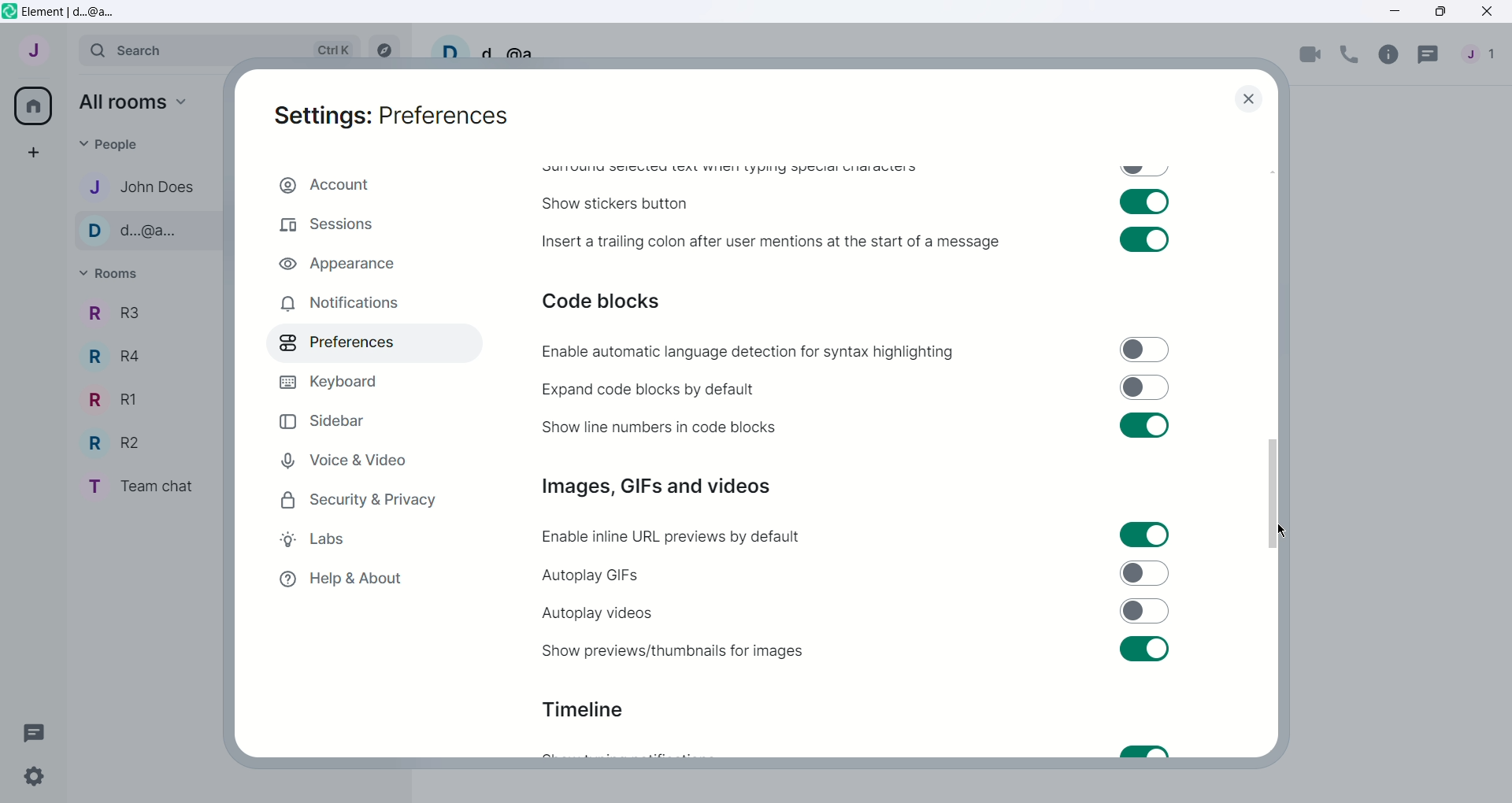 The image size is (1512, 803). What do you see at coordinates (1143, 425) in the screenshot?
I see `Toggle swtich on for show line numbers in code blocks` at bounding box center [1143, 425].